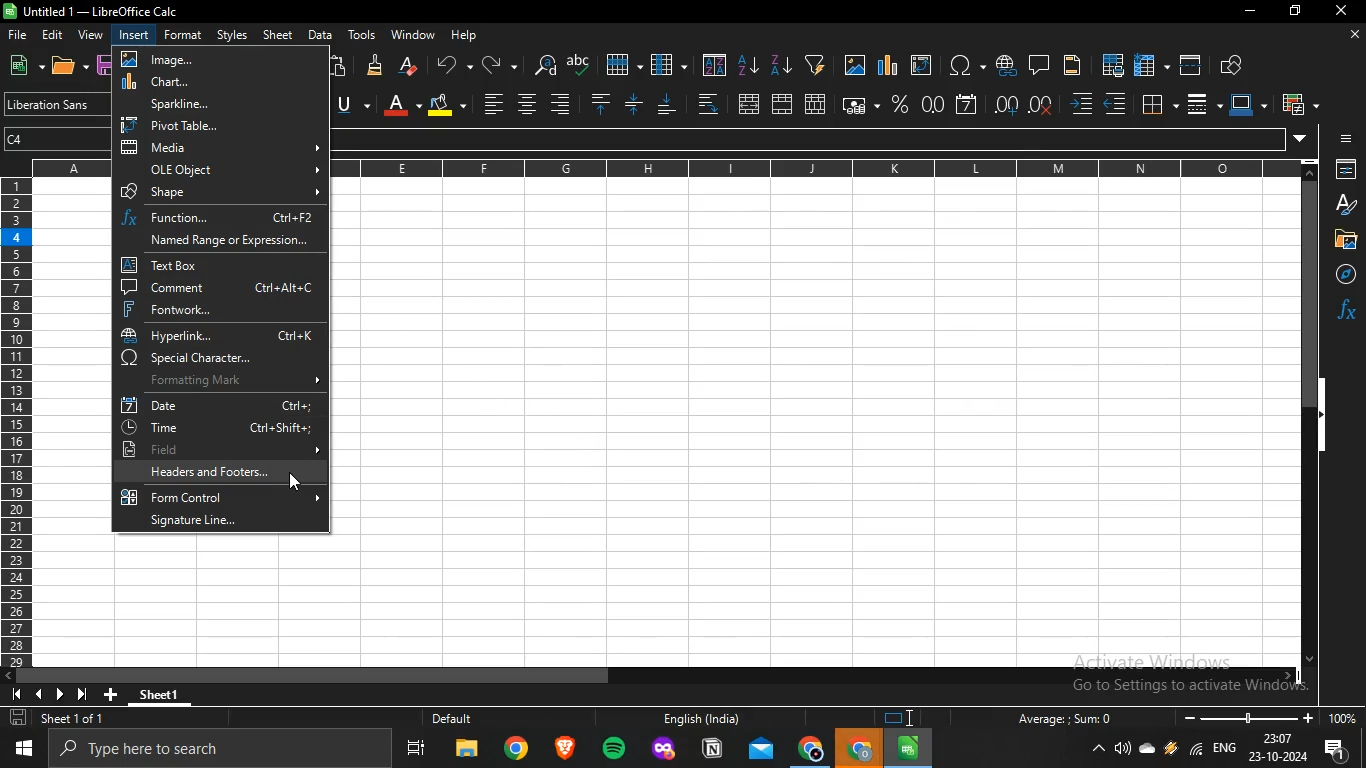 The width and height of the screenshot is (1366, 768). What do you see at coordinates (1197, 104) in the screenshot?
I see `border style` at bounding box center [1197, 104].